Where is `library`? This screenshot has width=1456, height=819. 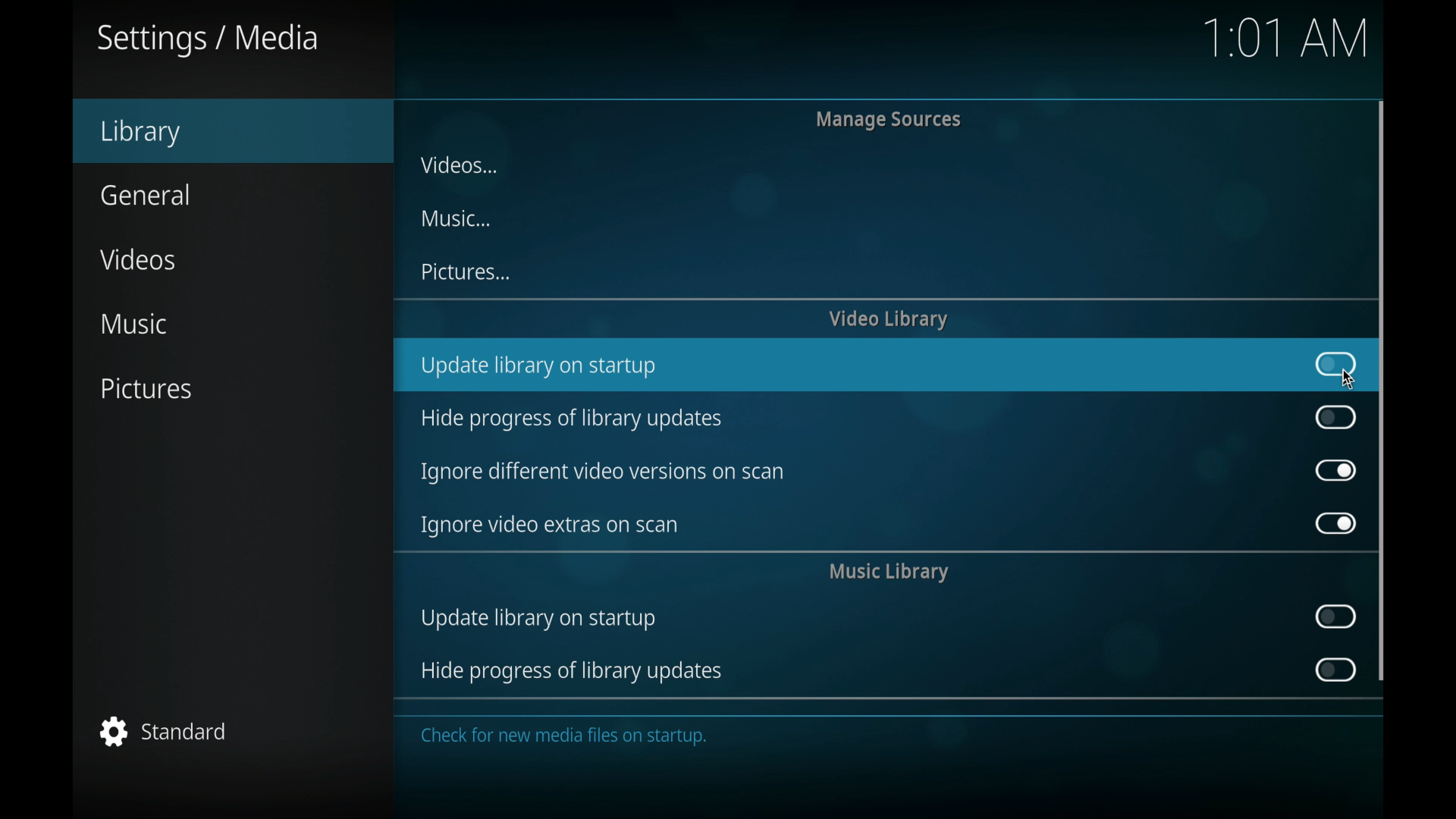 library is located at coordinates (141, 133).